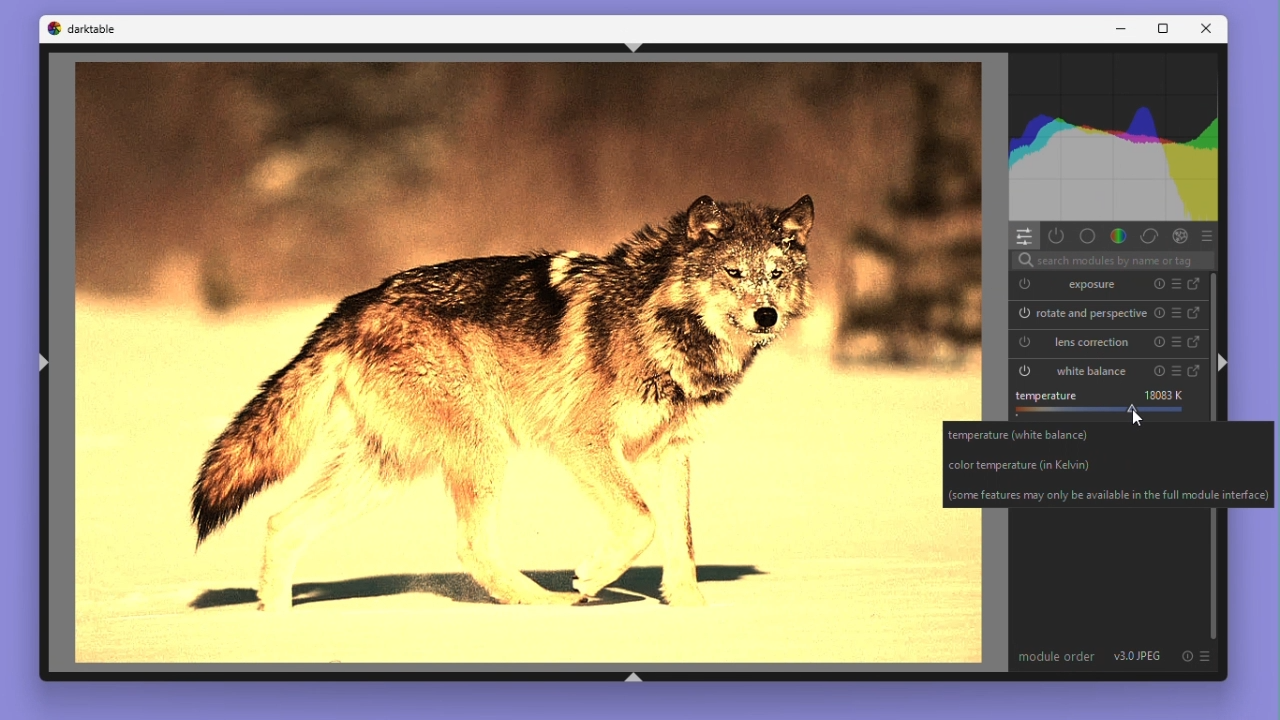 Image resolution: width=1280 pixels, height=720 pixels. I want to click on Version 3.0 JPEG, so click(1141, 655).